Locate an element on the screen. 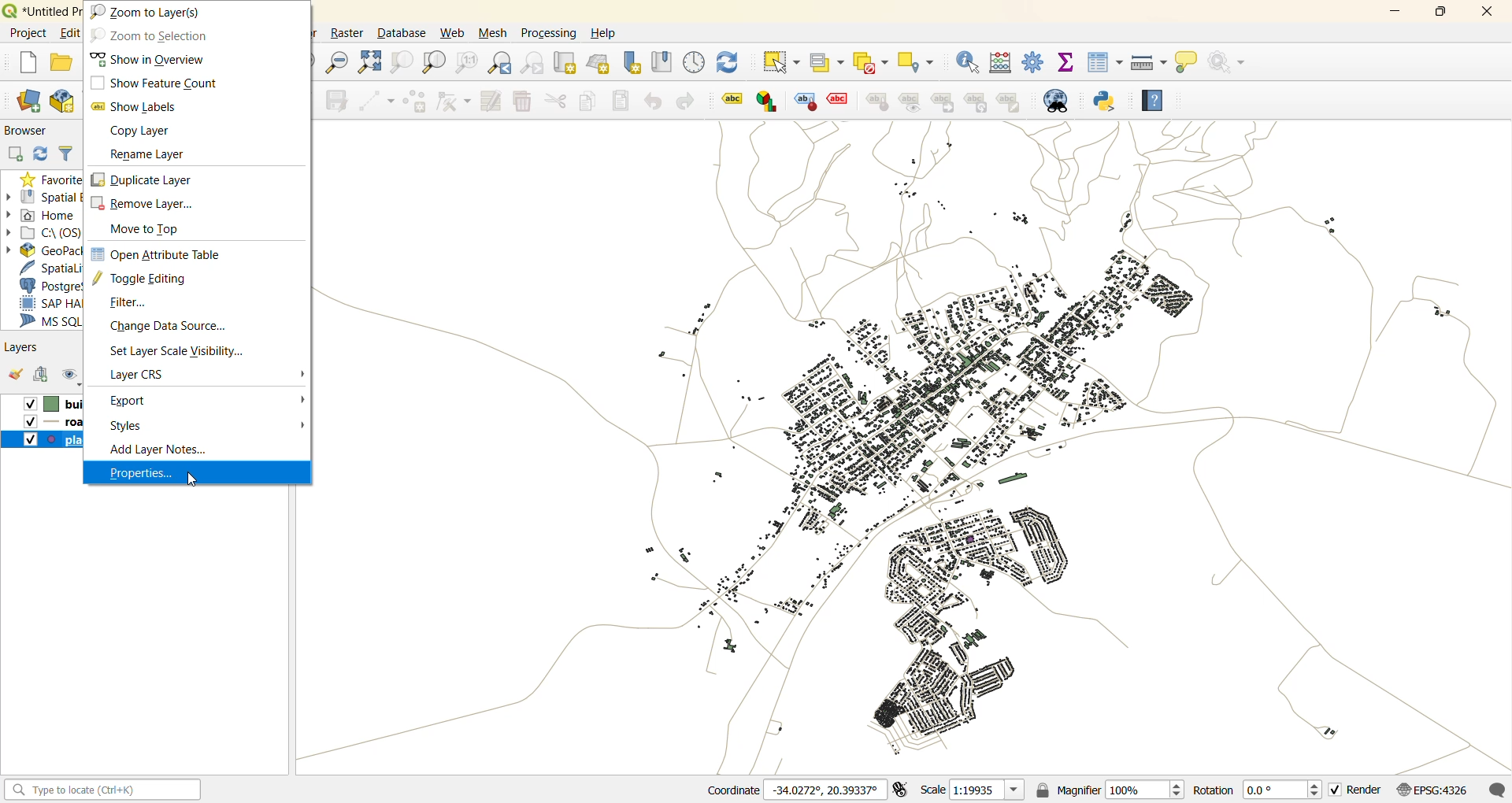 This screenshot has width=1512, height=803. cut is located at coordinates (558, 102).